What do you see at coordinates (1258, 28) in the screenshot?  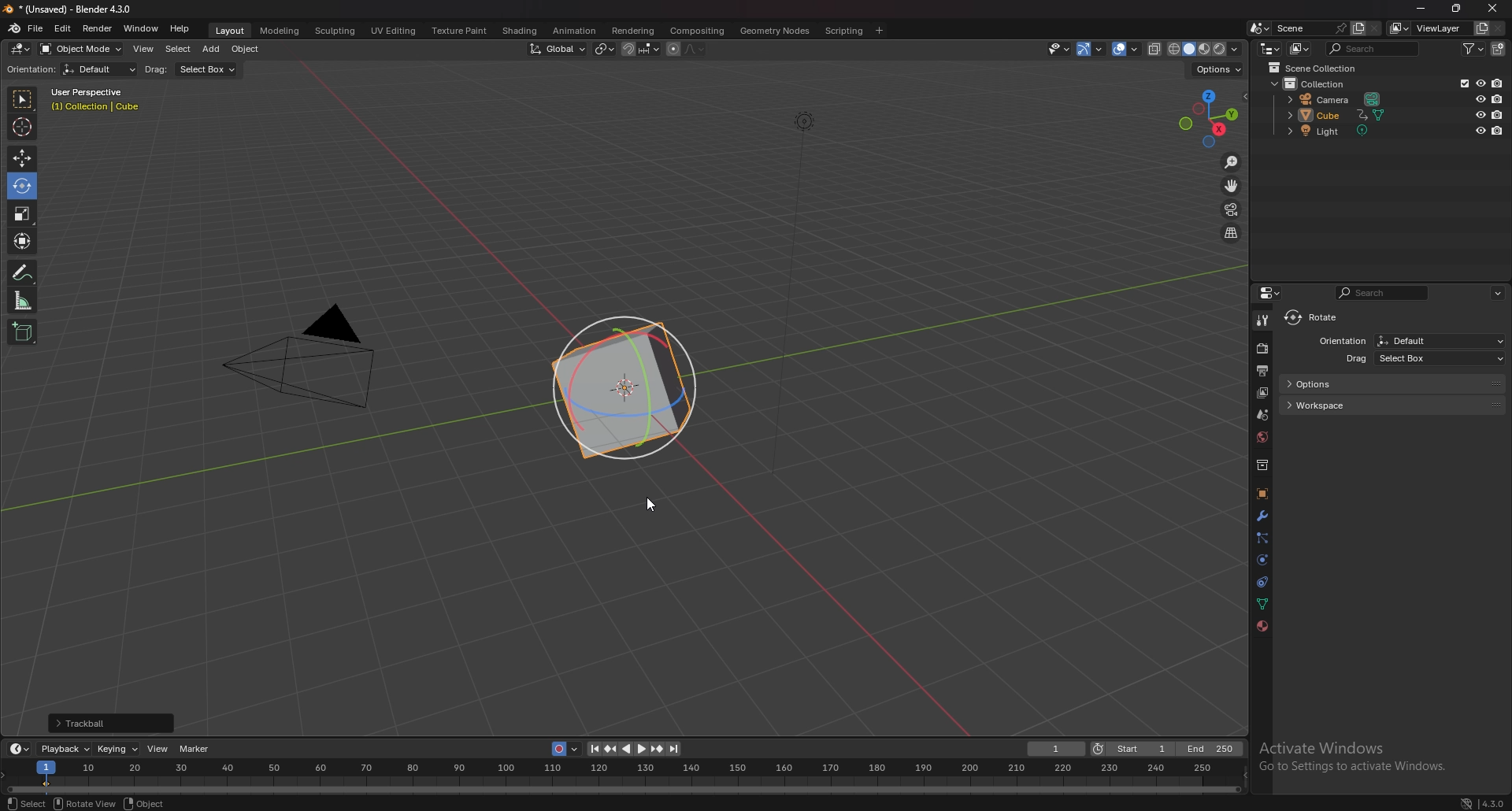 I see `browse scene` at bounding box center [1258, 28].